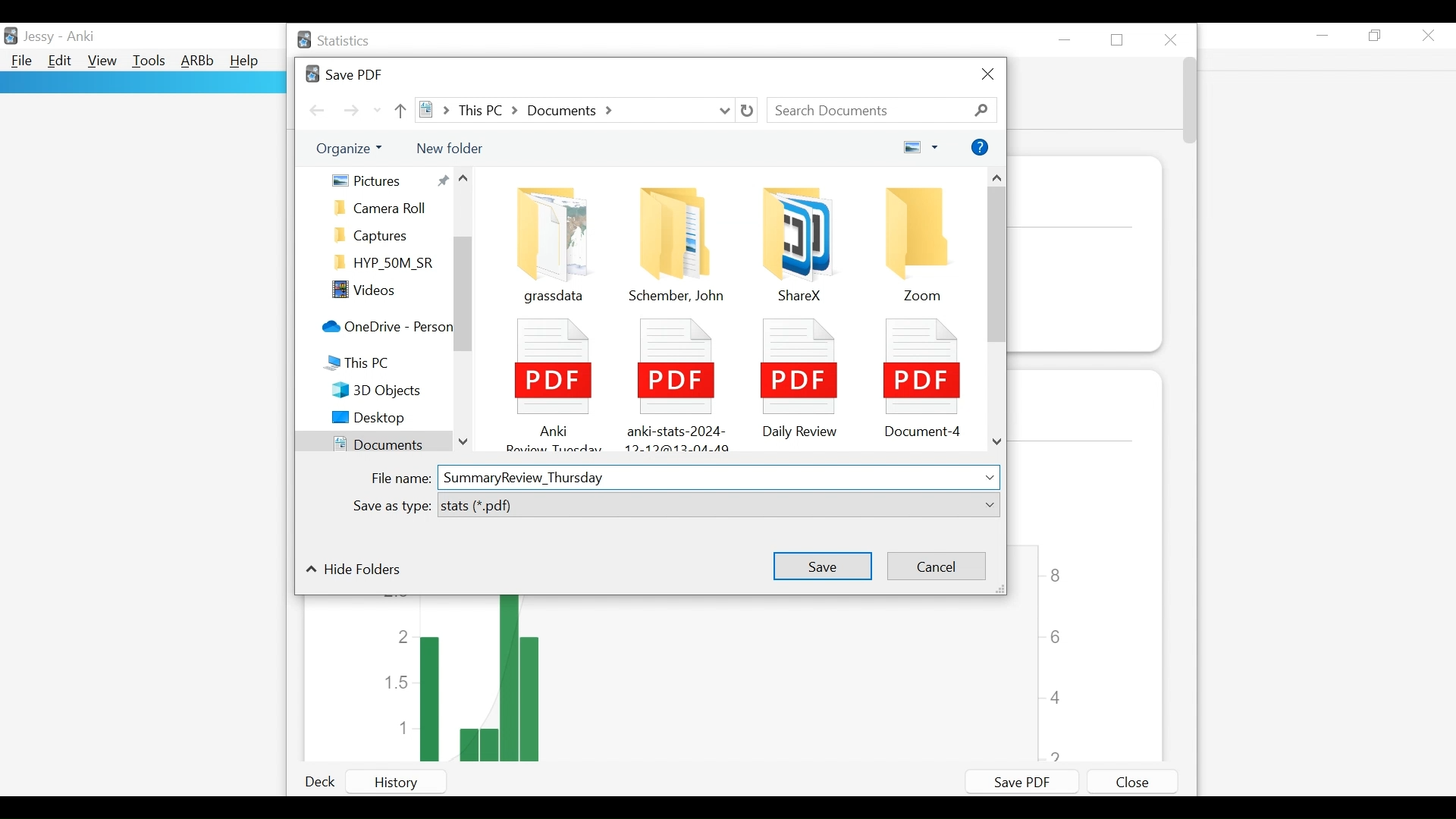 Image resolution: width=1456 pixels, height=819 pixels. Describe the element at coordinates (39, 39) in the screenshot. I see `User Nmae` at that location.